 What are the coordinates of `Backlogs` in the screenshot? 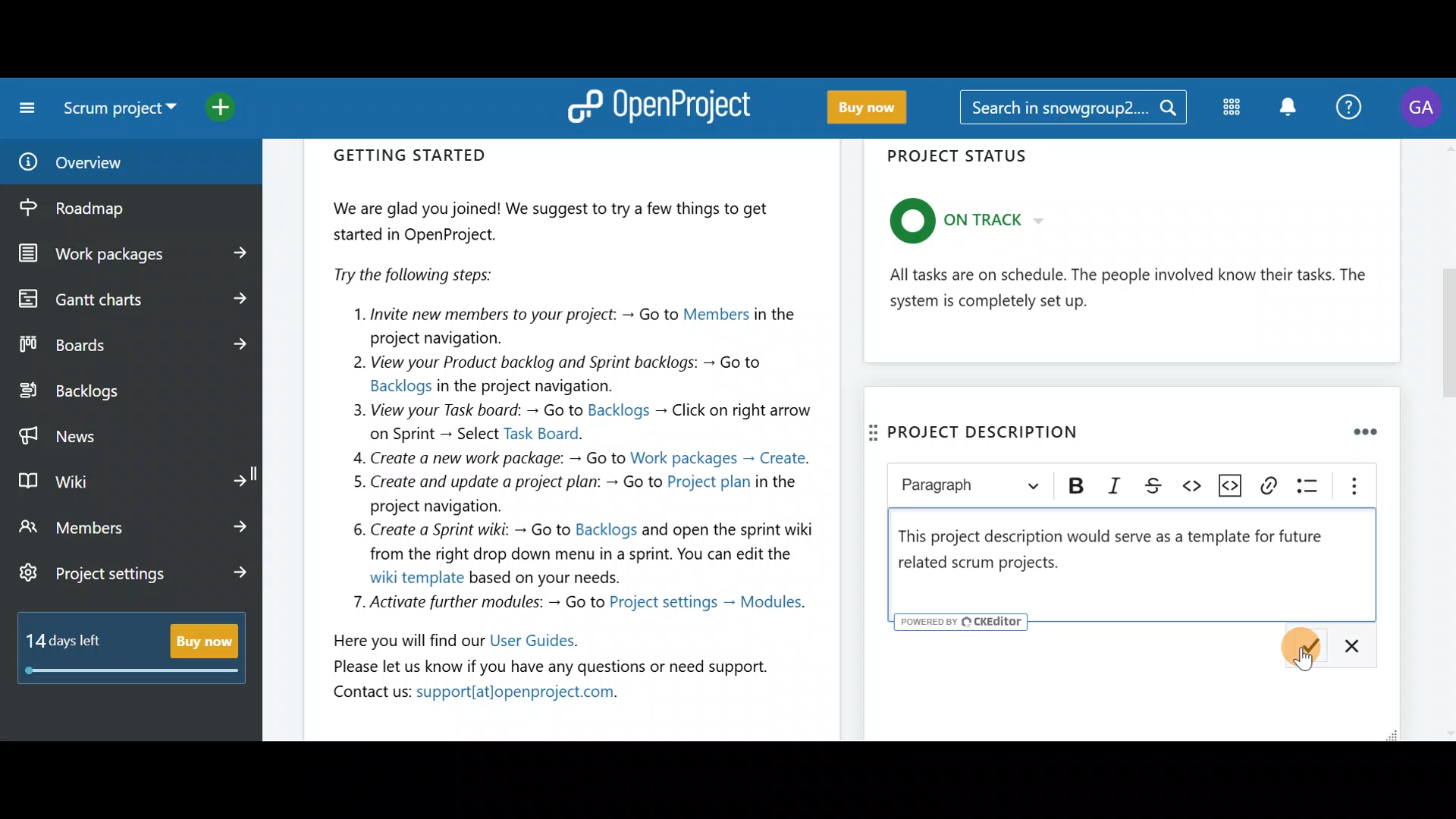 It's located at (118, 392).